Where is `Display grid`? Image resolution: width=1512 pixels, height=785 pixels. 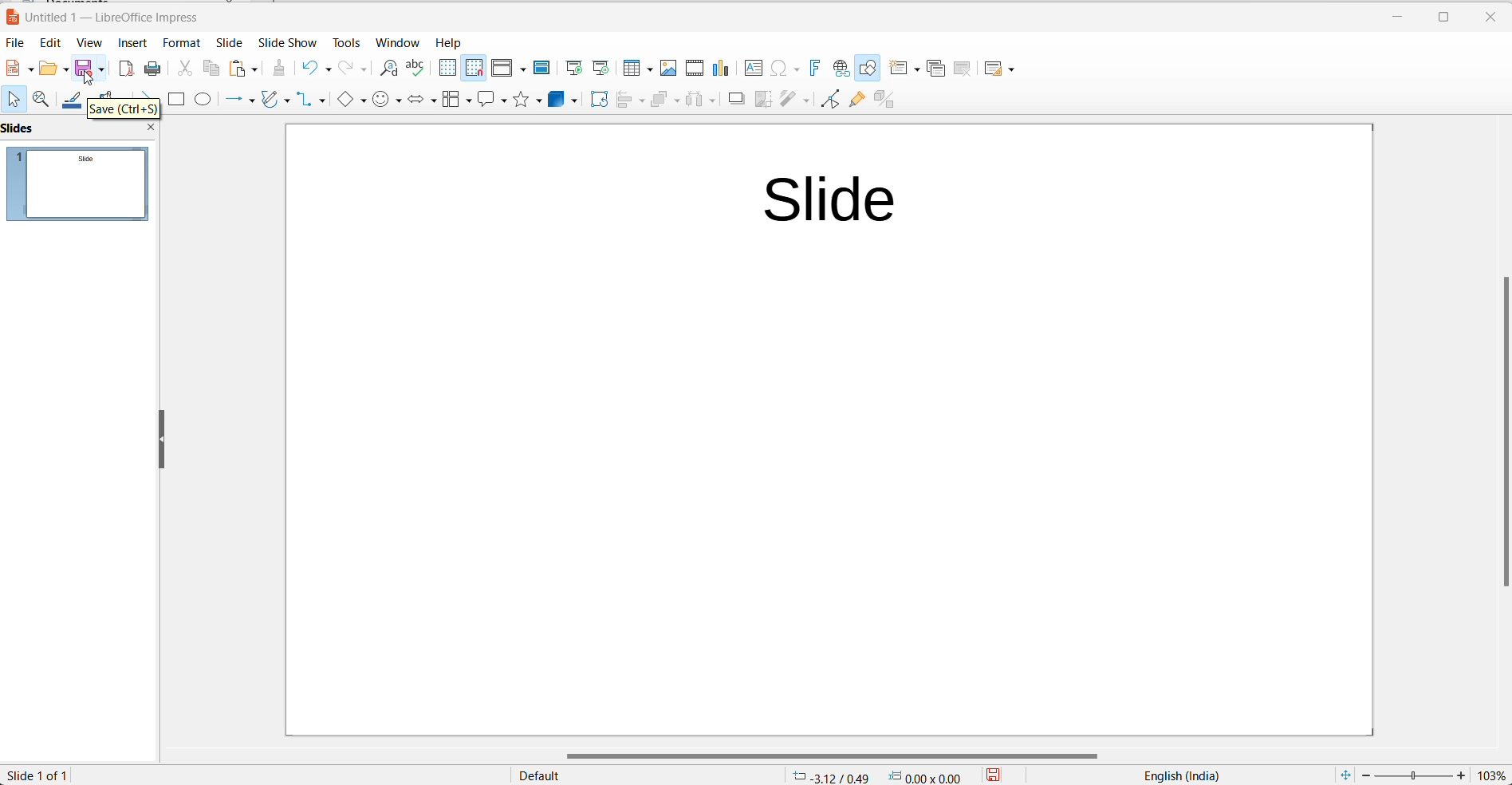
Display grid is located at coordinates (446, 69).